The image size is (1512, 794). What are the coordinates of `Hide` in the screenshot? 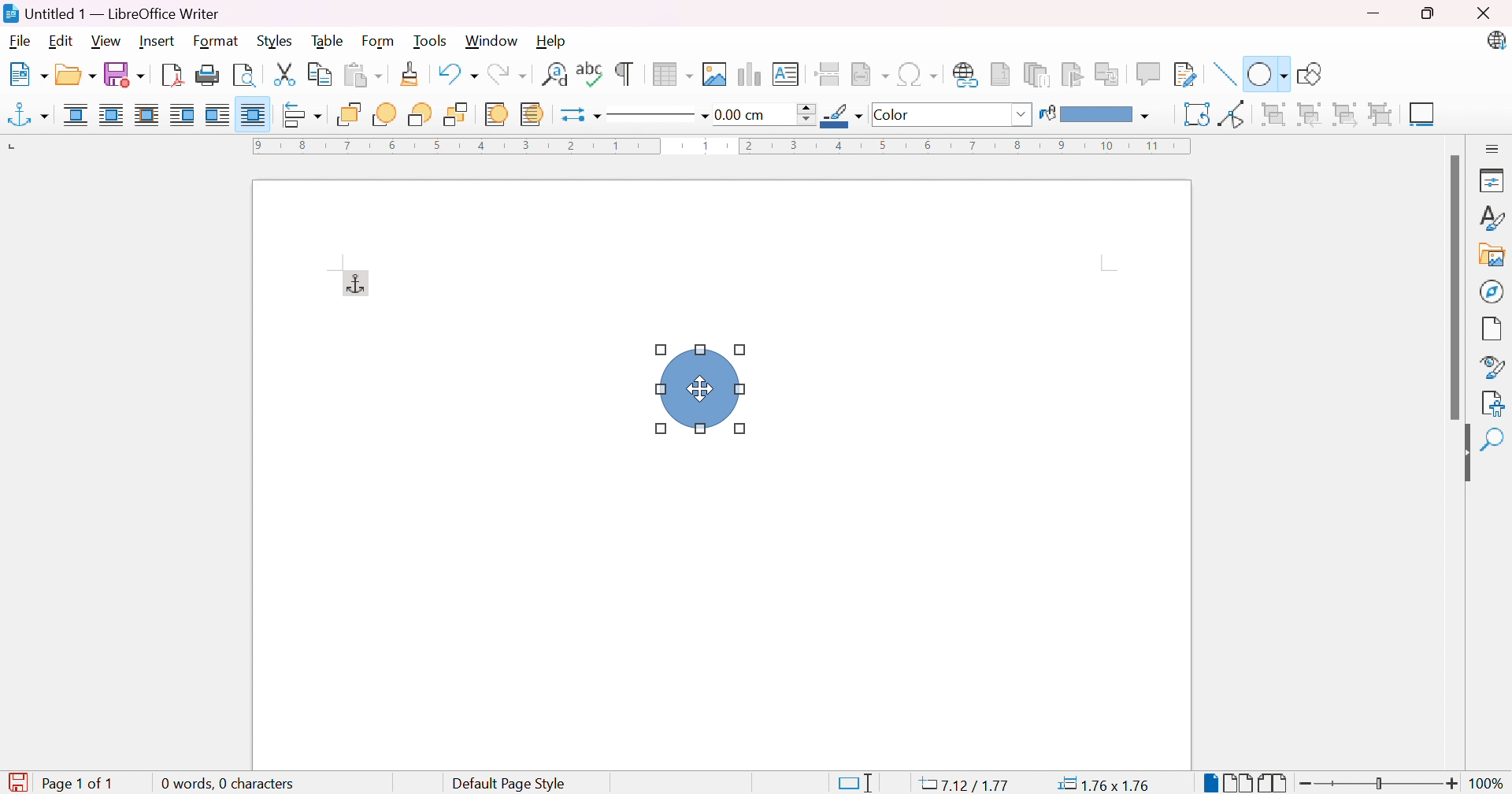 It's located at (1462, 455).